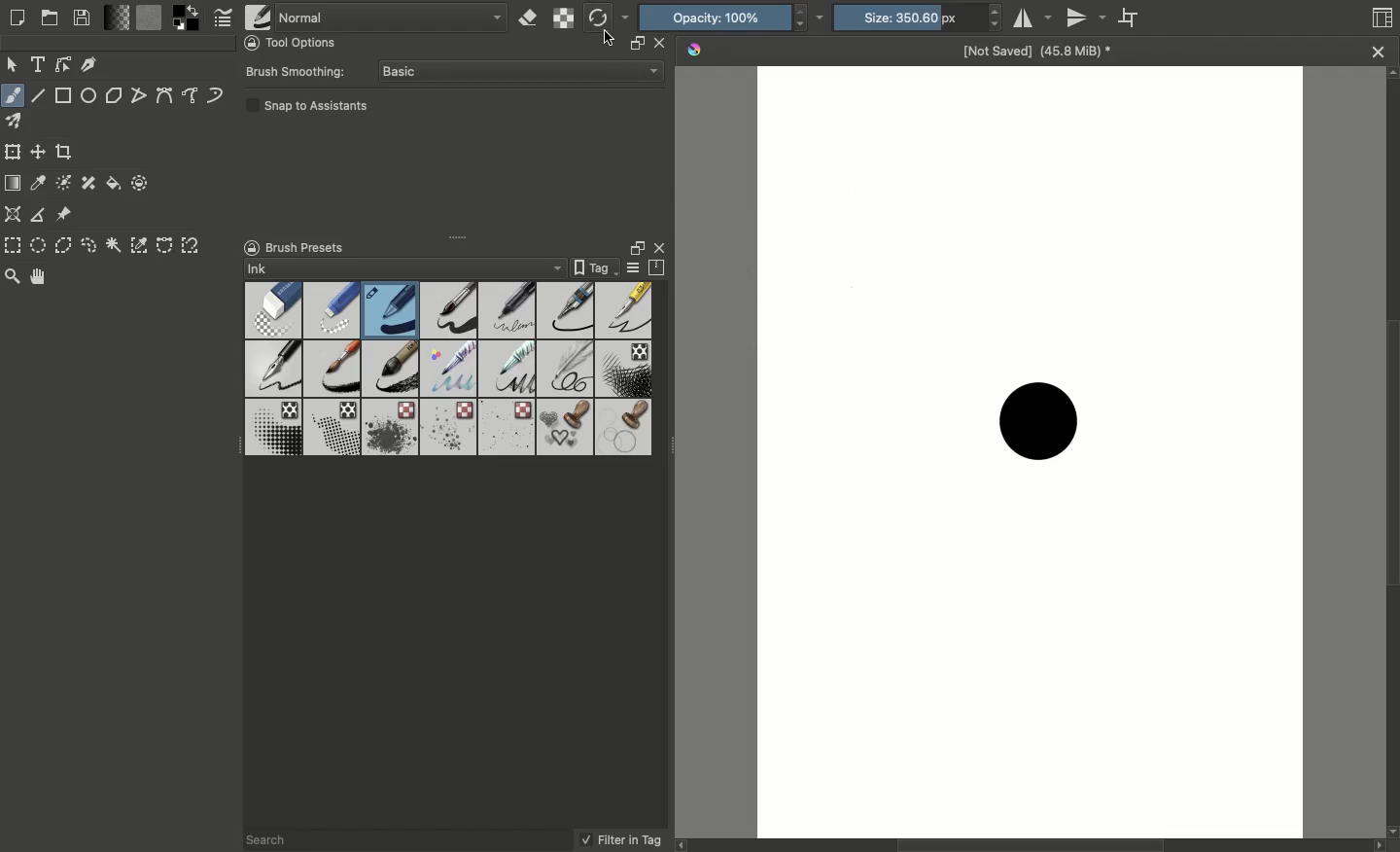  What do you see at coordinates (319, 246) in the screenshot?
I see `Brush presets` at bounding box center [319, 246].